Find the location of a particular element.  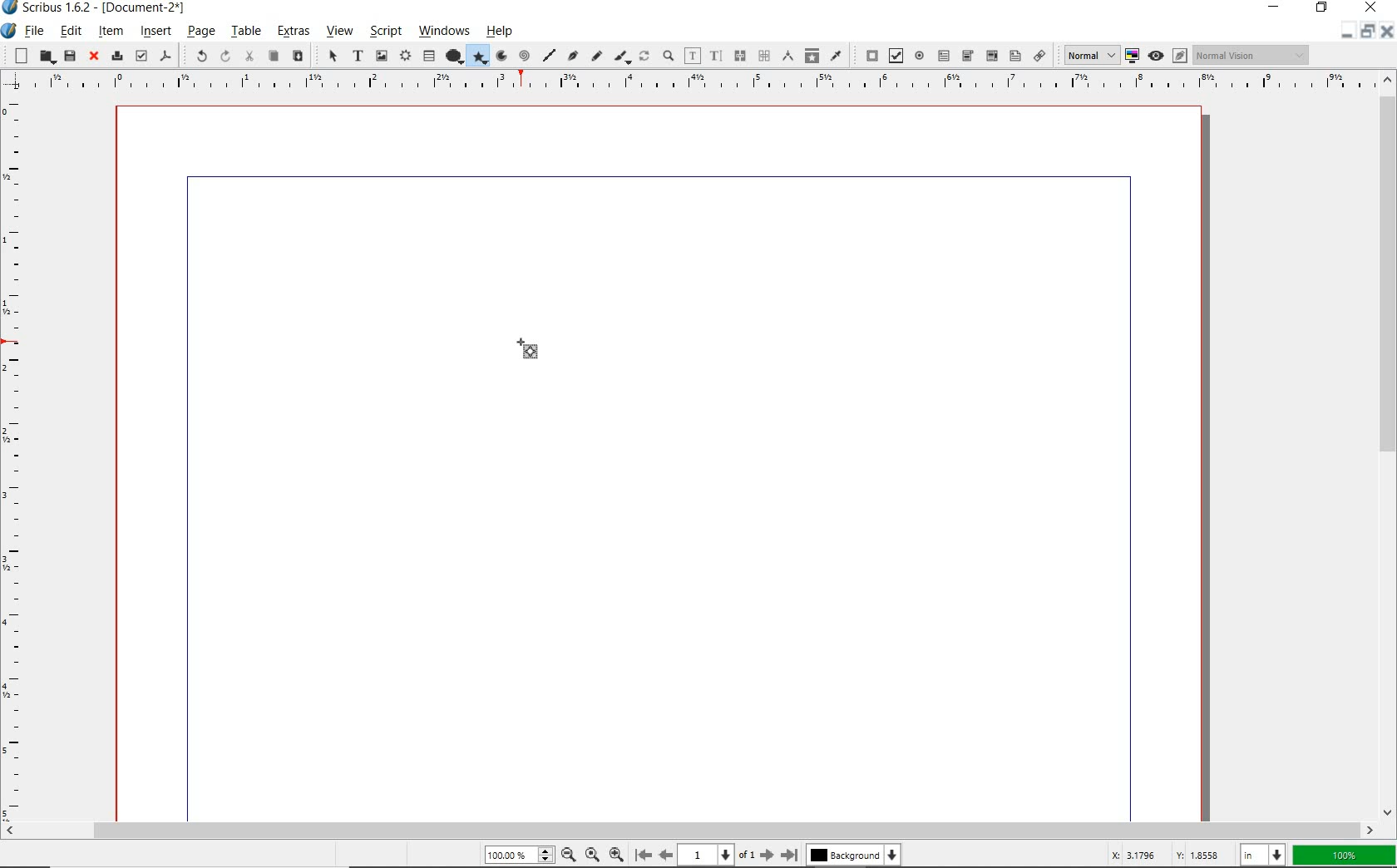

save as pdf is located at coordinates (166, 55).